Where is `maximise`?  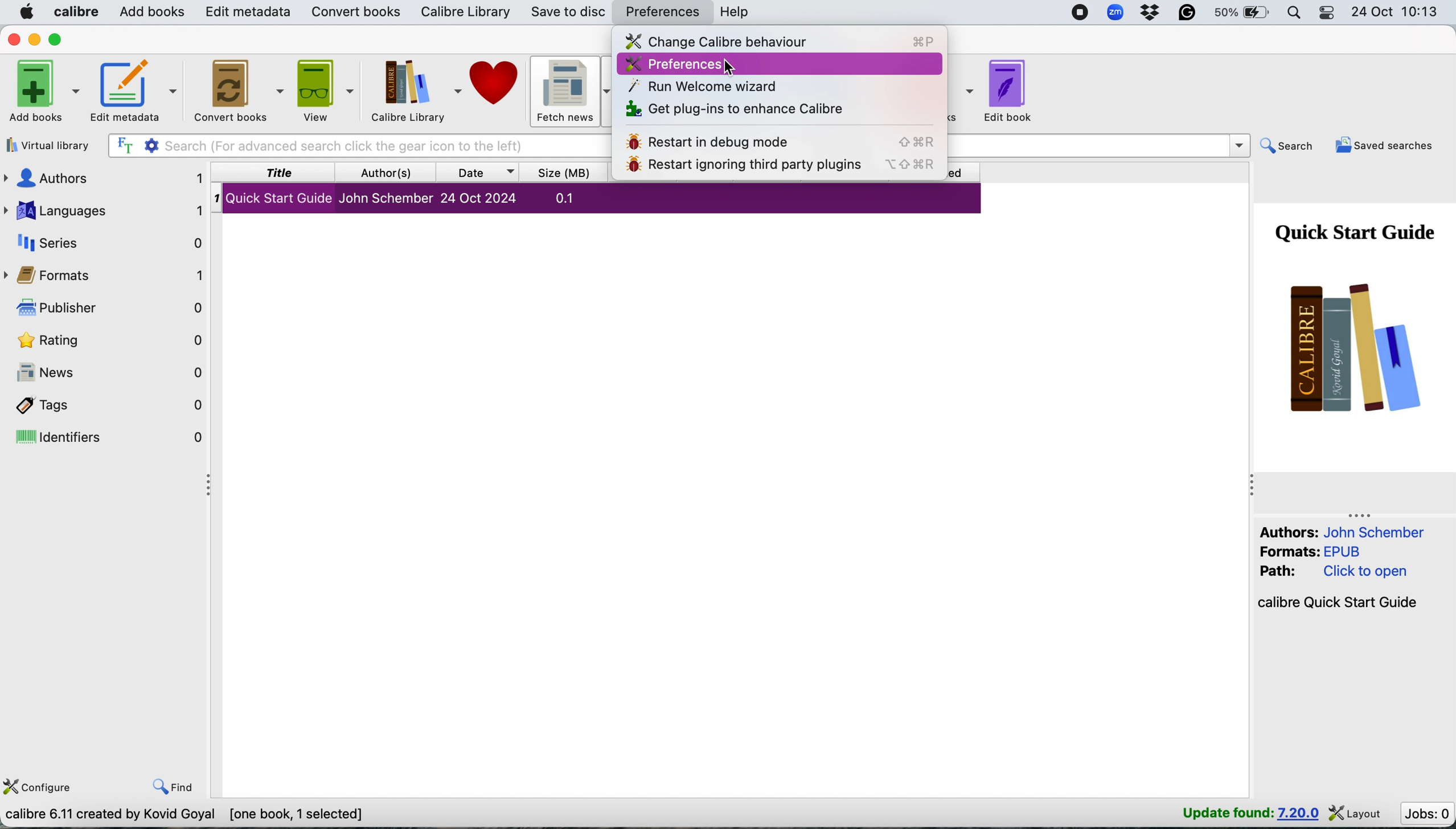
maximise is located at coordinates (60, 39).